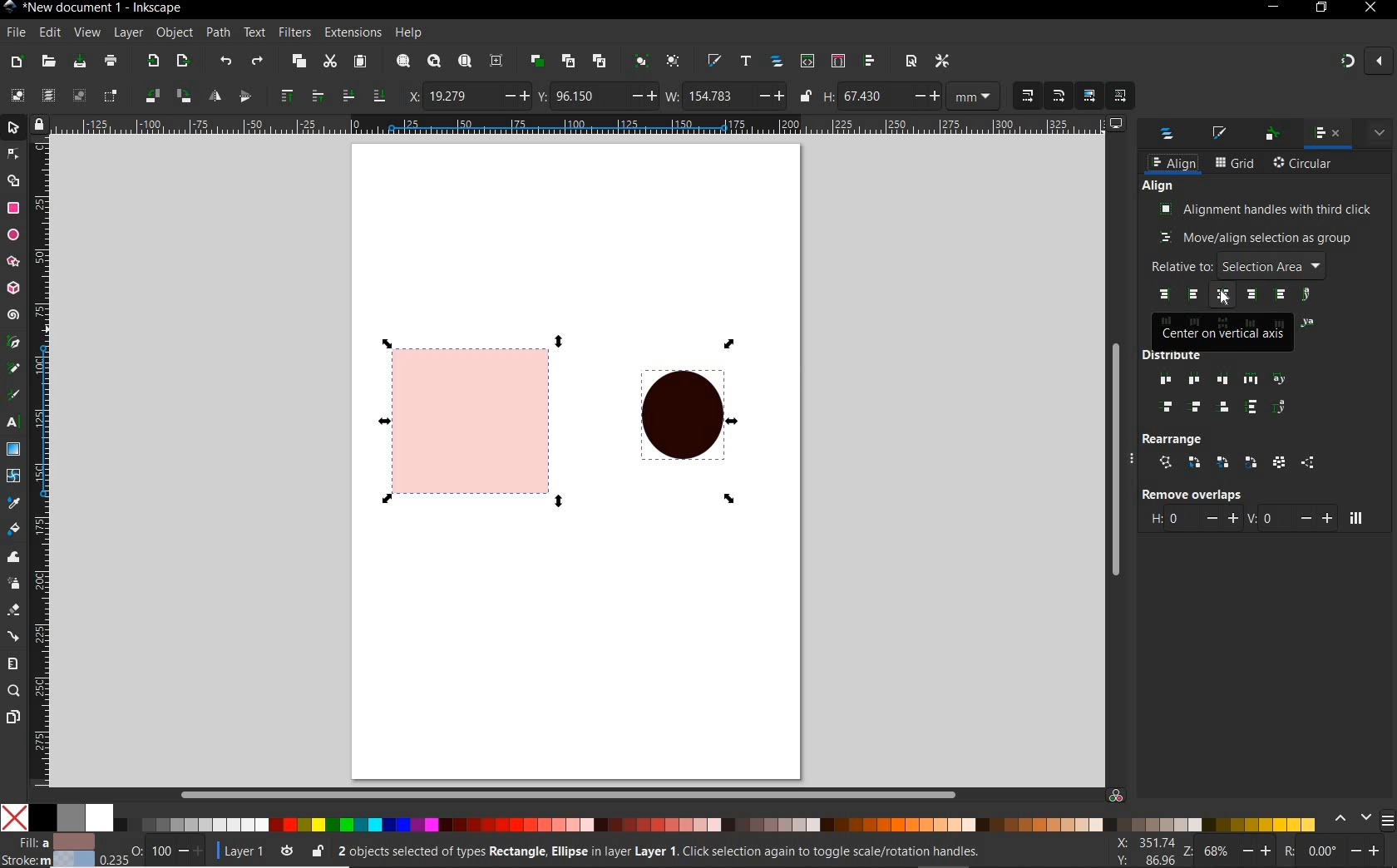  I want to click on dropper tool, so click(12, 501).